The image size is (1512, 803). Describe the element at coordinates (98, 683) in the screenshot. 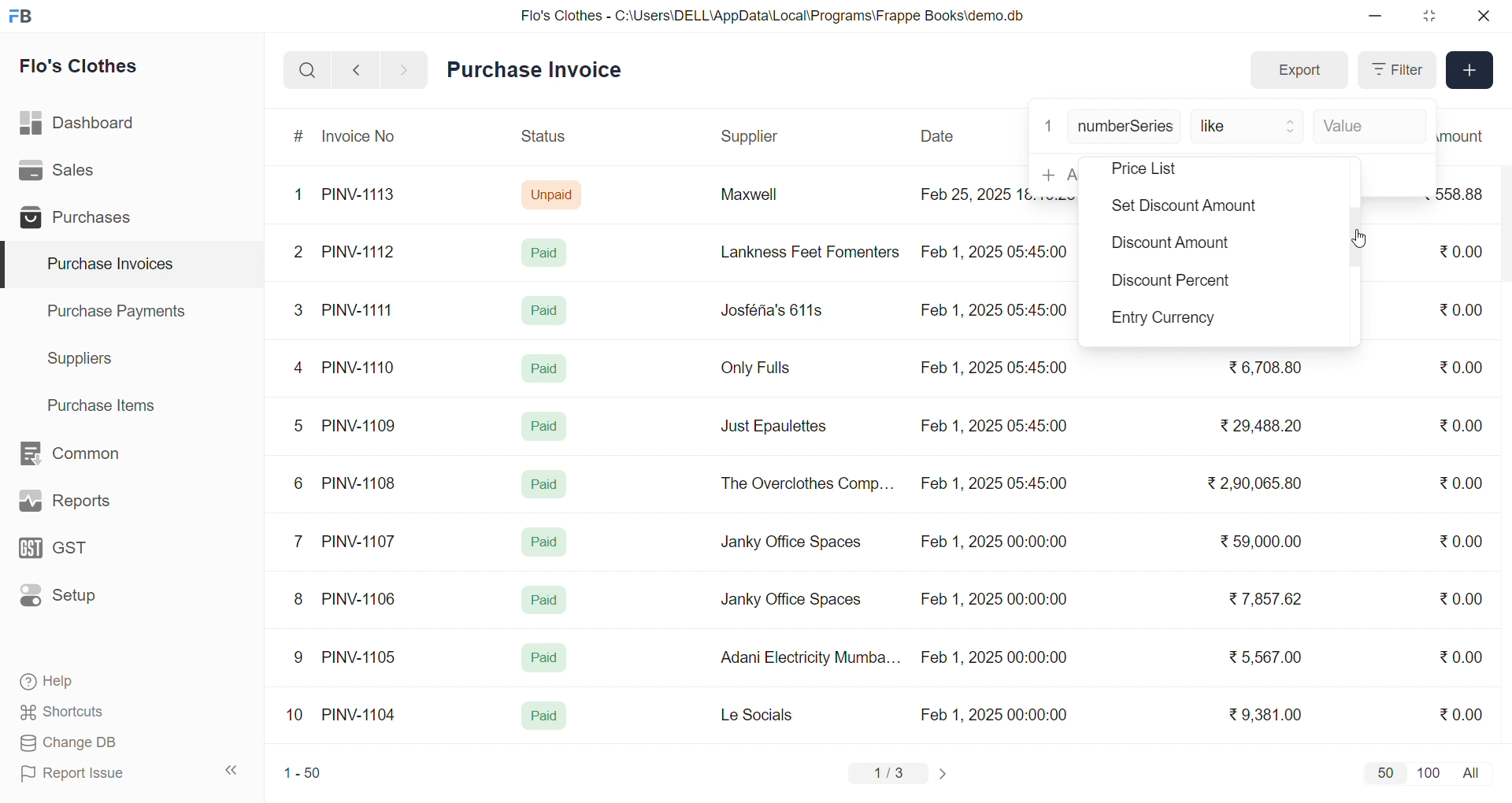

I see `Help` at that location.